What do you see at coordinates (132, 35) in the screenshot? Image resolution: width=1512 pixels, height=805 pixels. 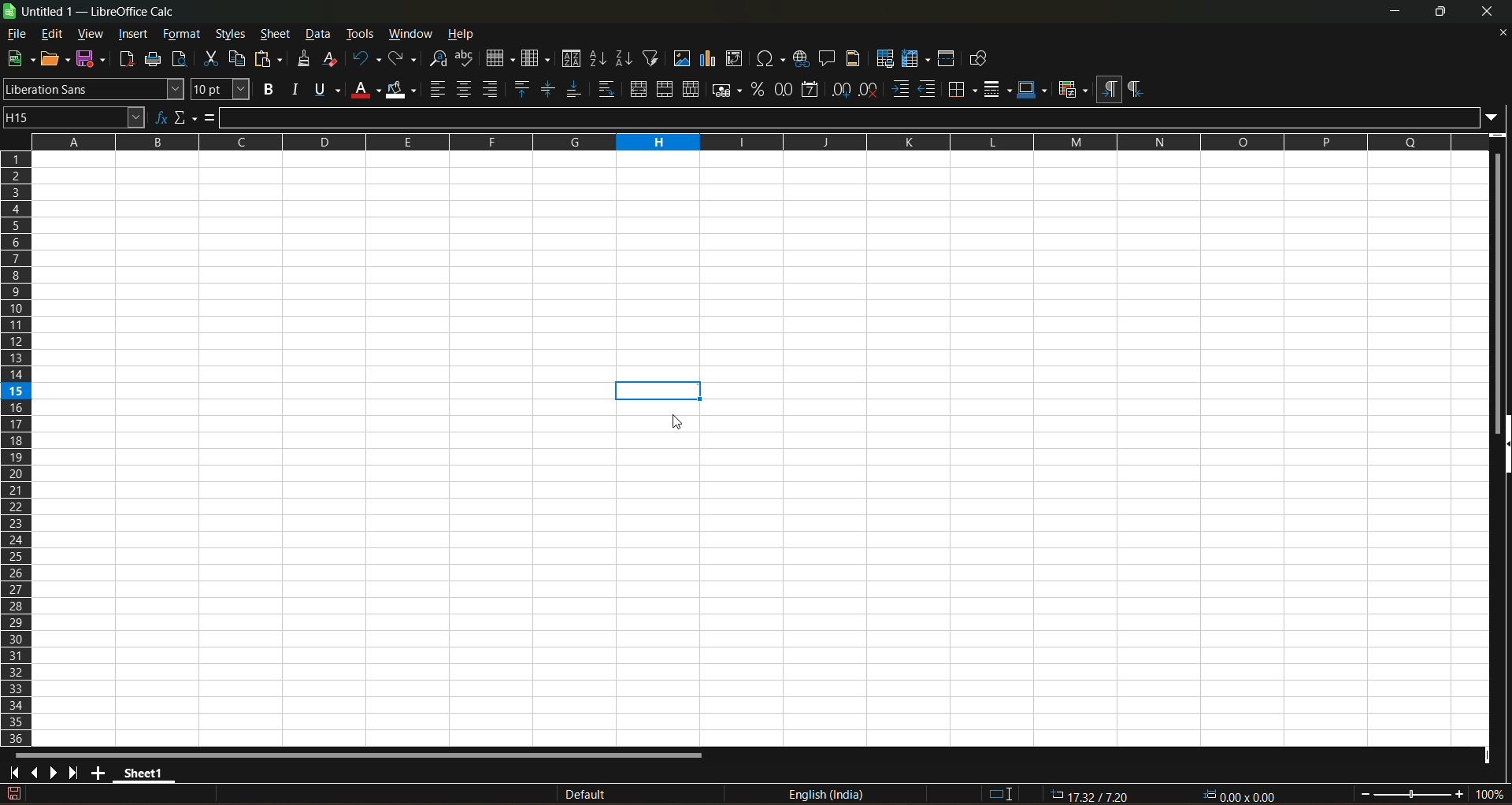 I see `insert` at bounding box center [132, 35].